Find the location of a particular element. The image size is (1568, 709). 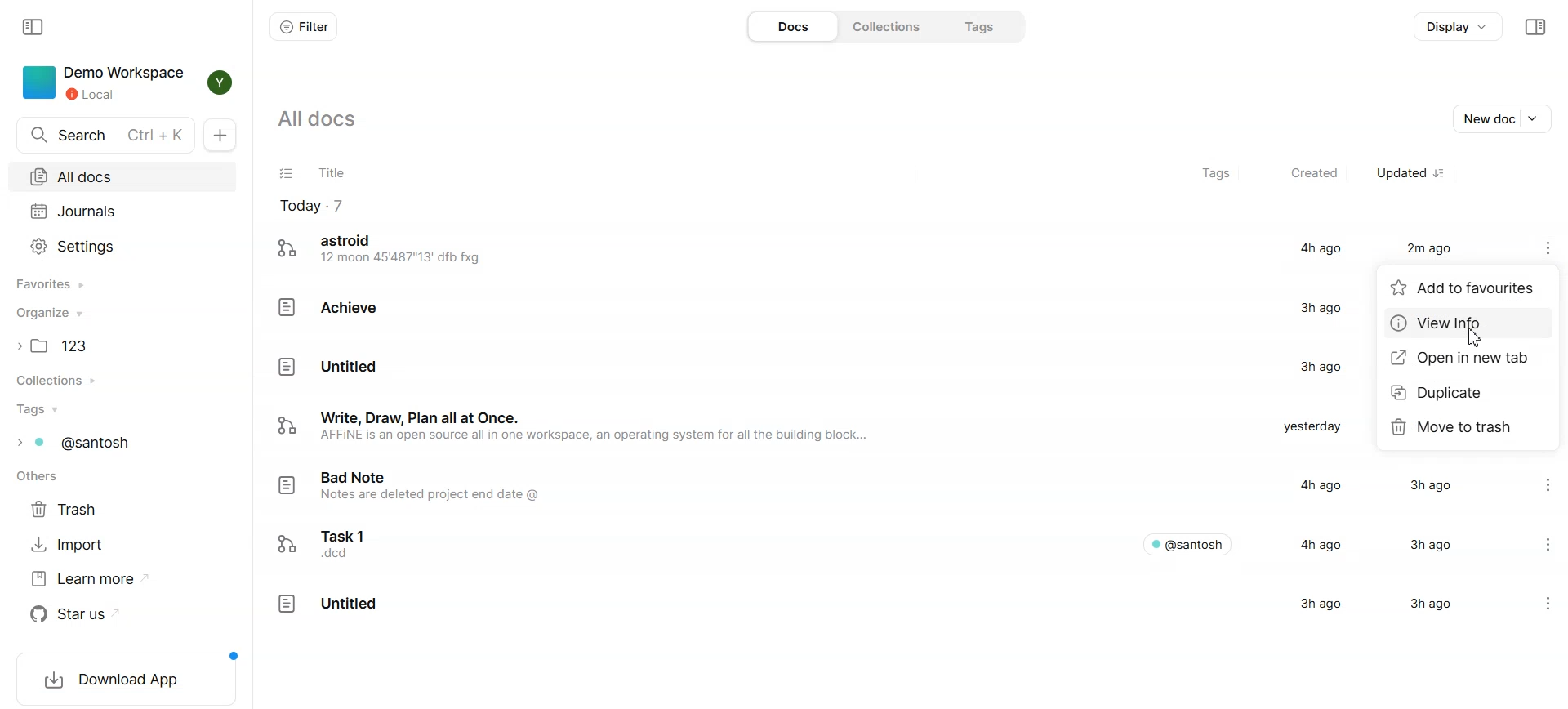

View Info is located at coordinates (1467, 323).